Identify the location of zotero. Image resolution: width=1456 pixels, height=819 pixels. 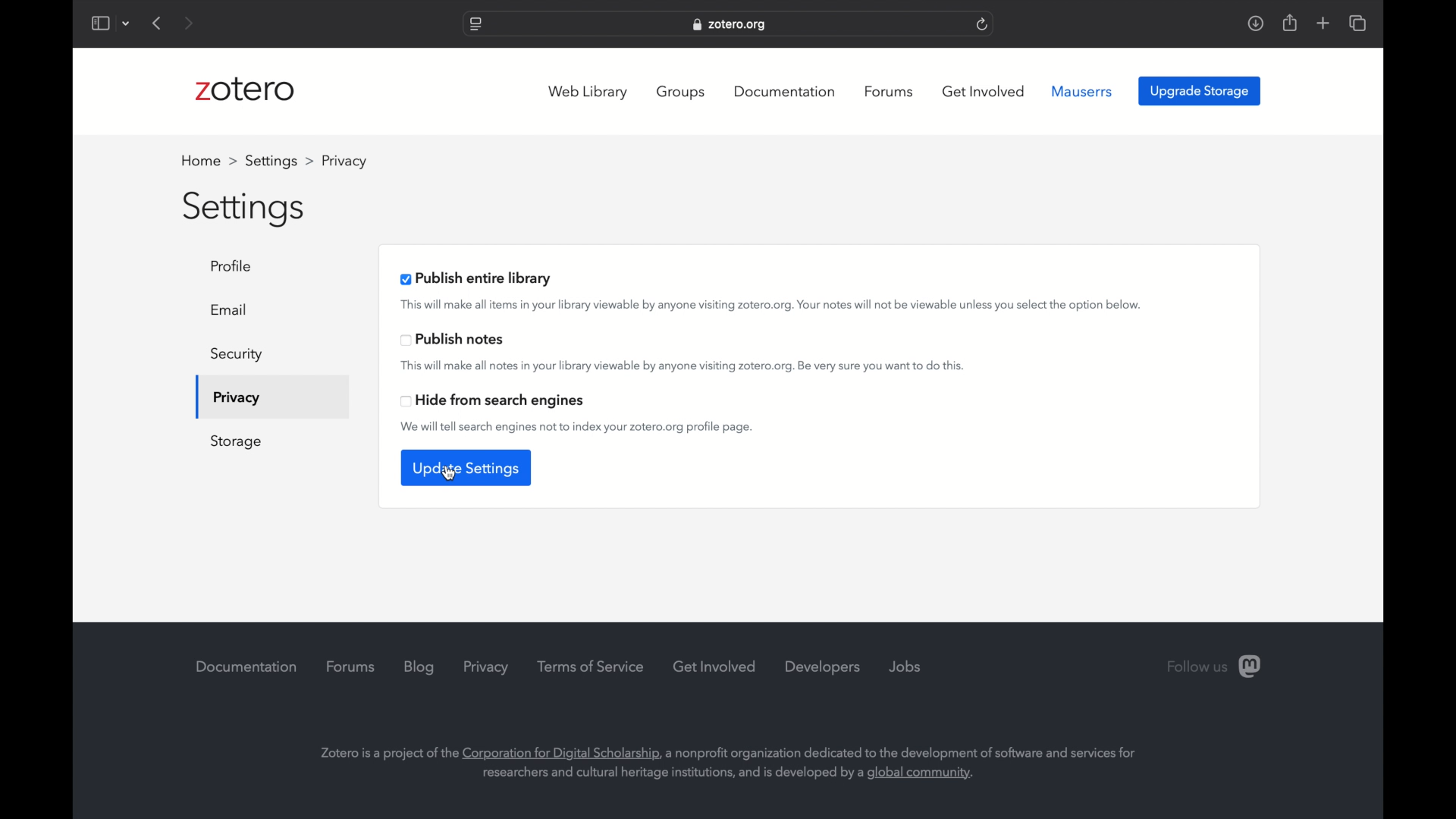
(245, 89).